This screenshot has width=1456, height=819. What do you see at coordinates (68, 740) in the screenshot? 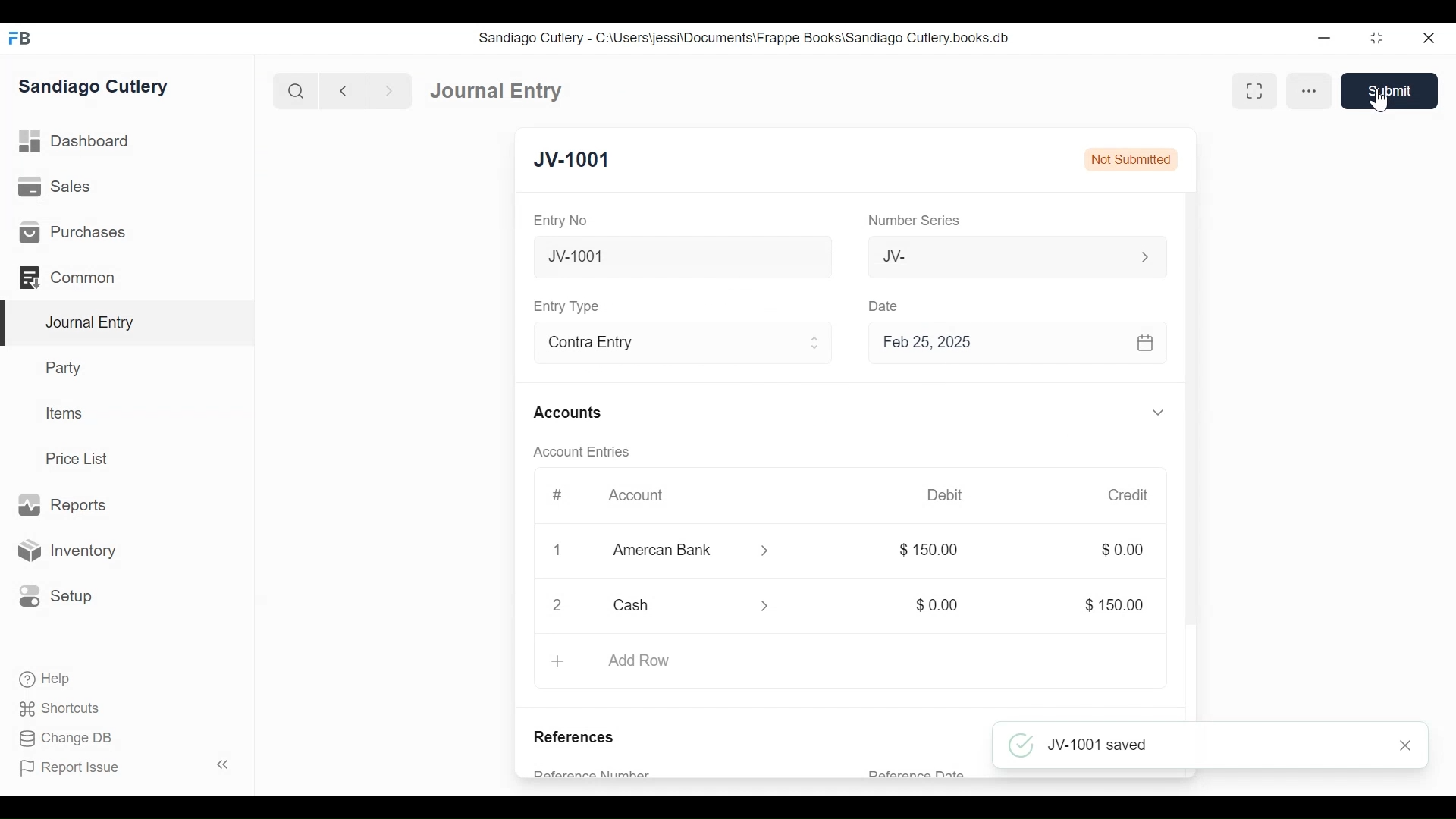
I see `Change DB` at bounding box center [68, 740].